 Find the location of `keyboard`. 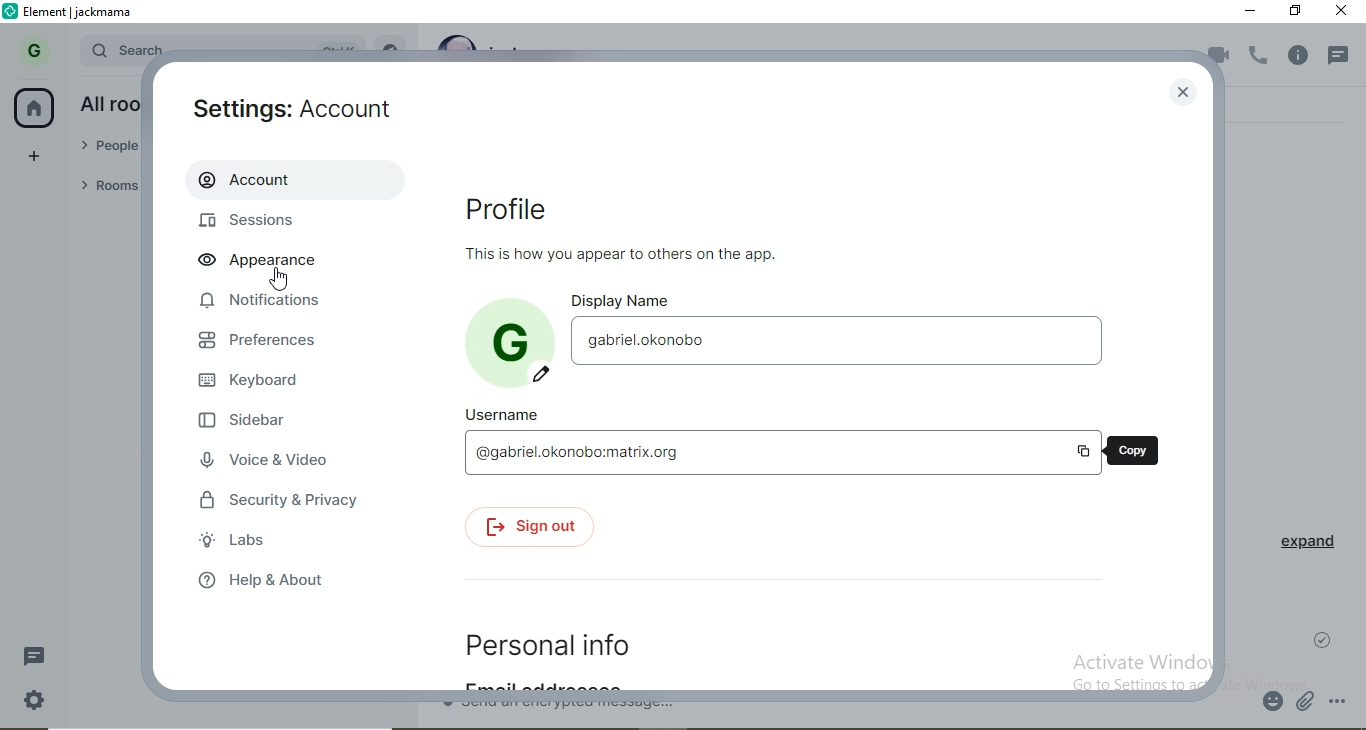

keyboard is located at coordinates (257, 384).